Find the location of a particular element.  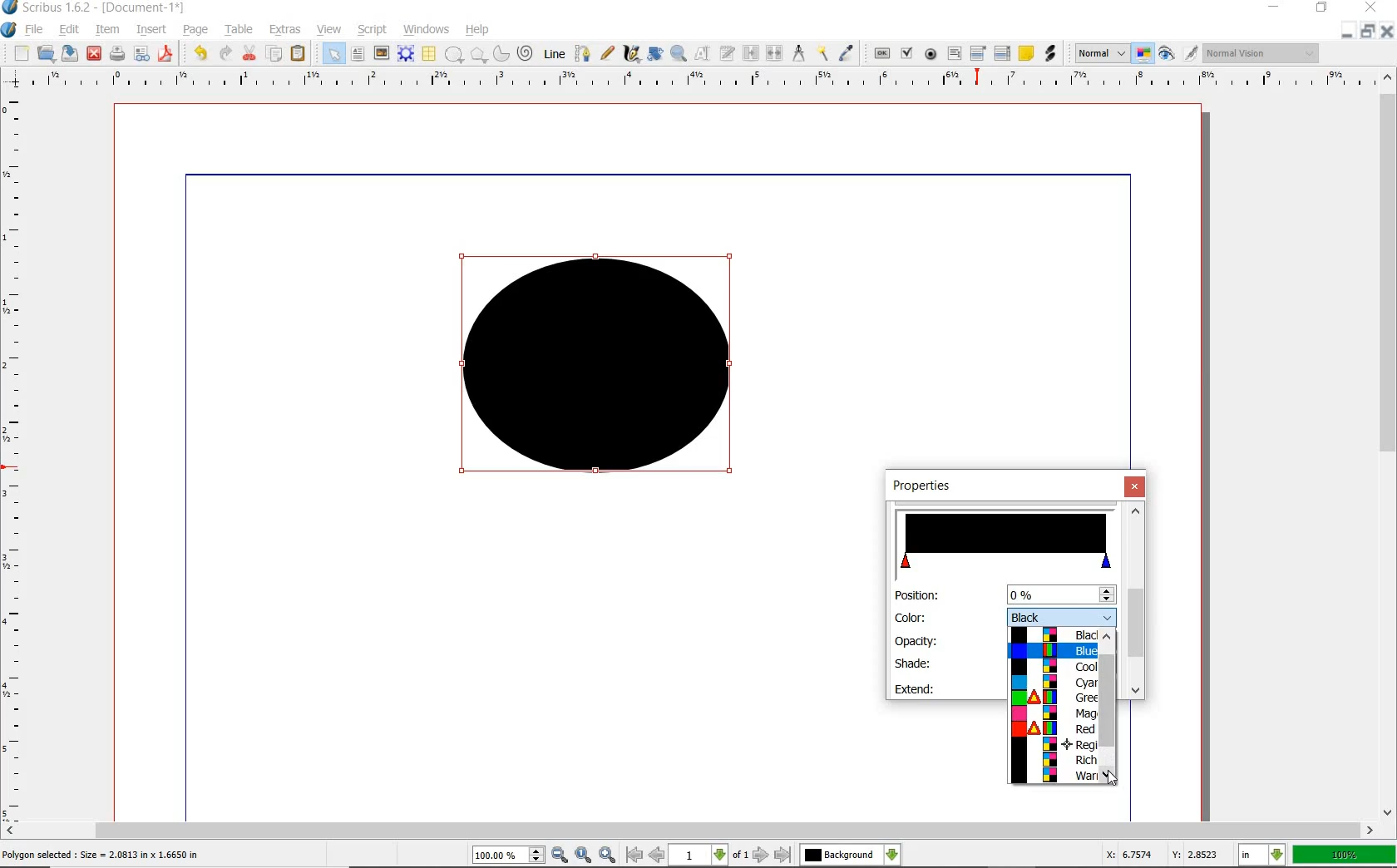

RESTORE is located at coordinates (1368, 32).